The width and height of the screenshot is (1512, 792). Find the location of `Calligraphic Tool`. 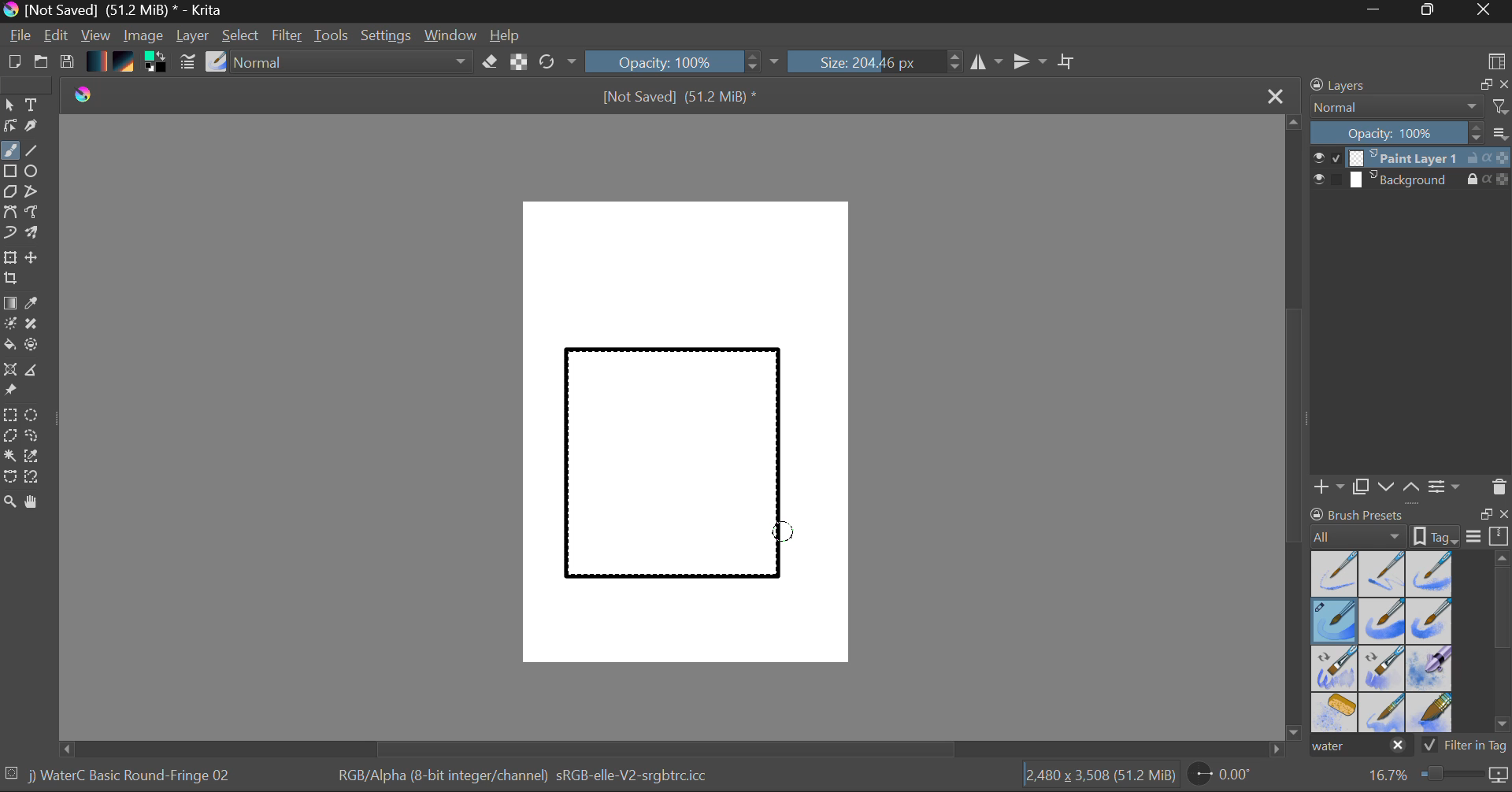

Calligraphic Tool is located at coordinates (37, 129).